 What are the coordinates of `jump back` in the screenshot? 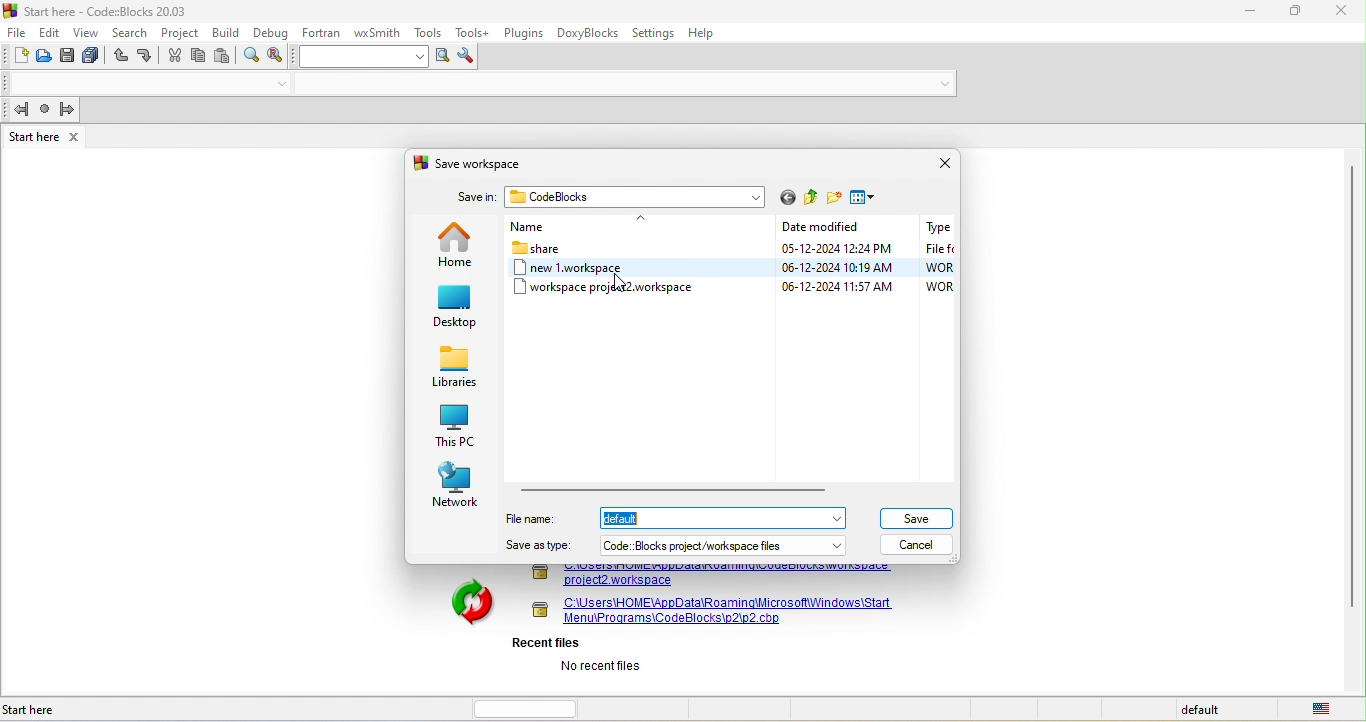 It's located at (18, 110).